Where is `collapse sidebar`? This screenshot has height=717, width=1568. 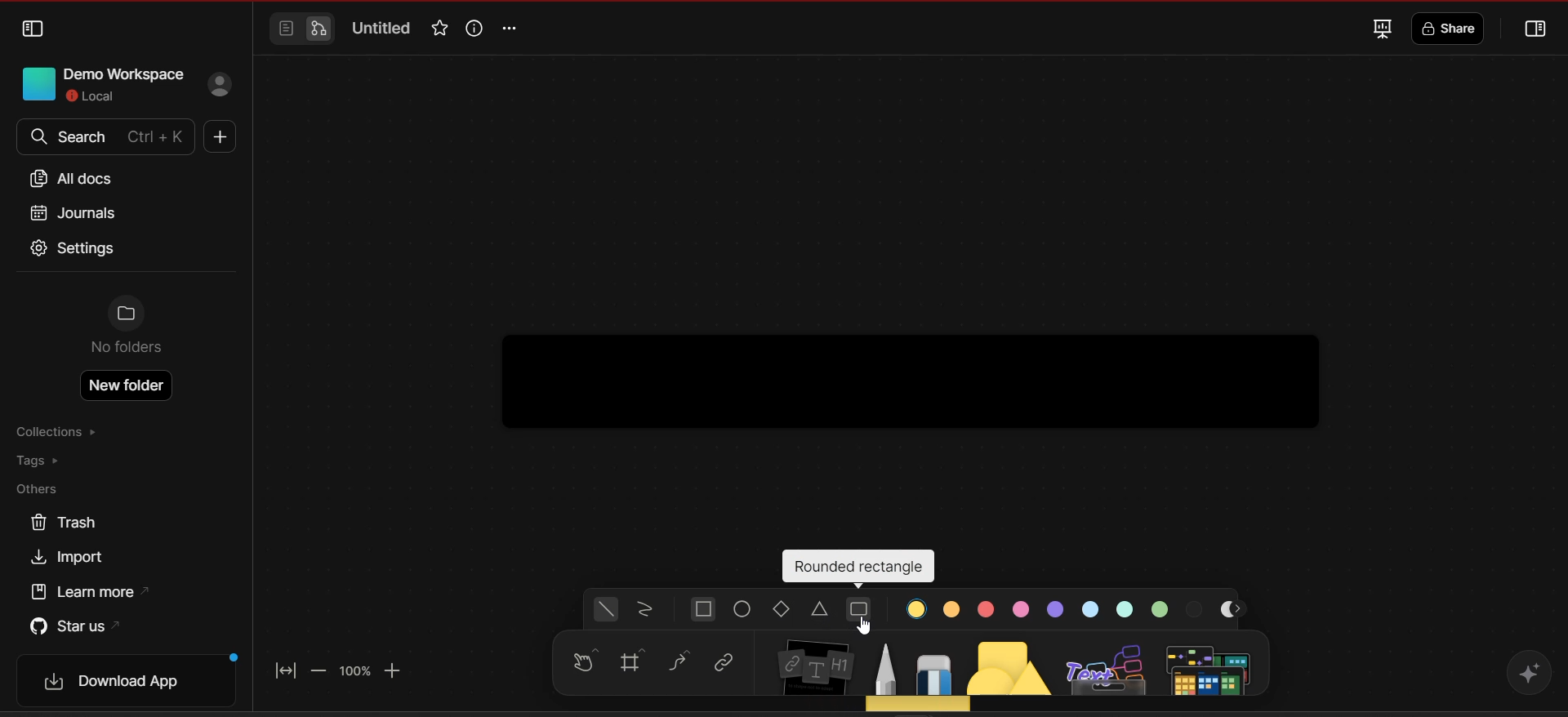 collapse sidebar is located at coordinates (33, 29).